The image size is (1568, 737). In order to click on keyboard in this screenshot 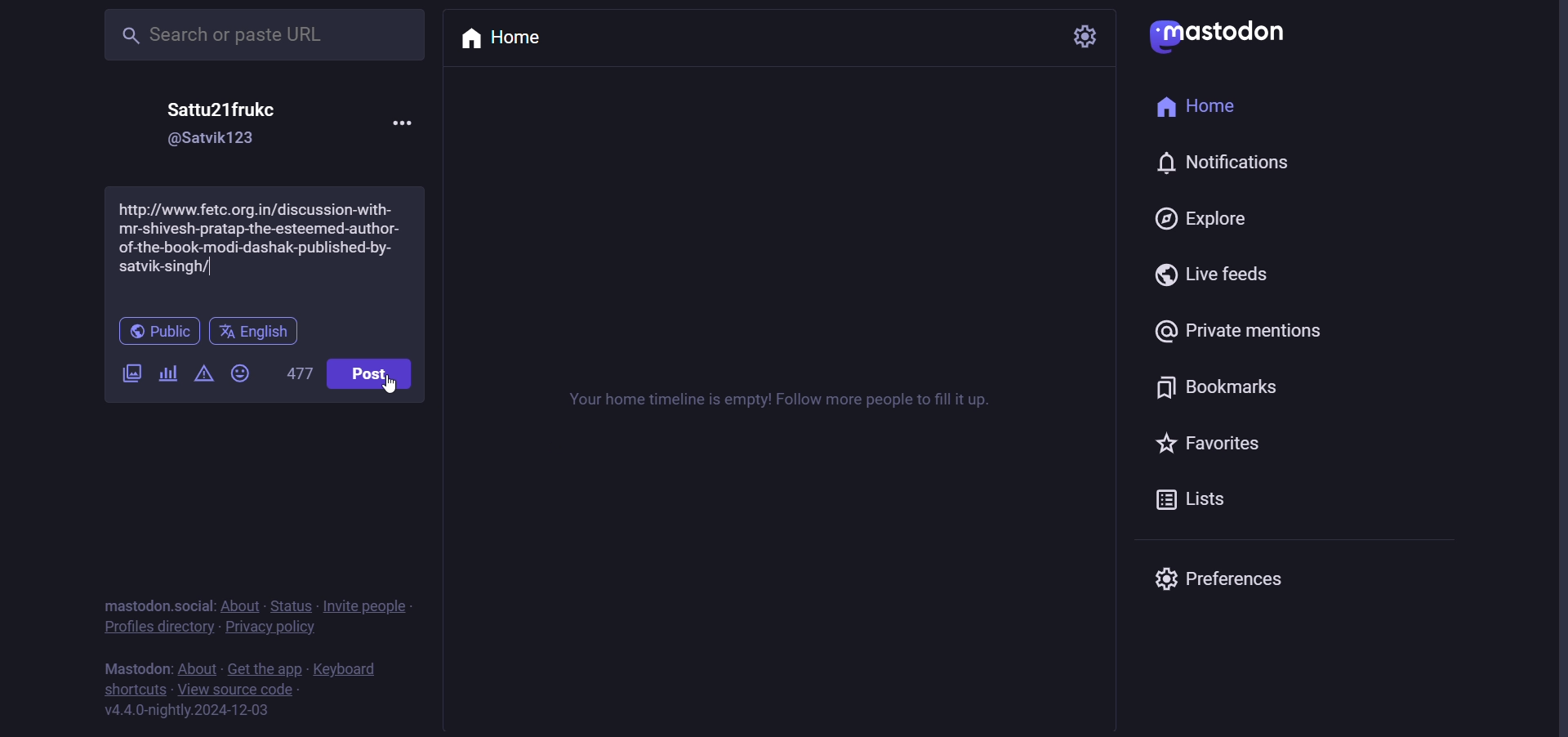, I will do `click(351, 671)`.